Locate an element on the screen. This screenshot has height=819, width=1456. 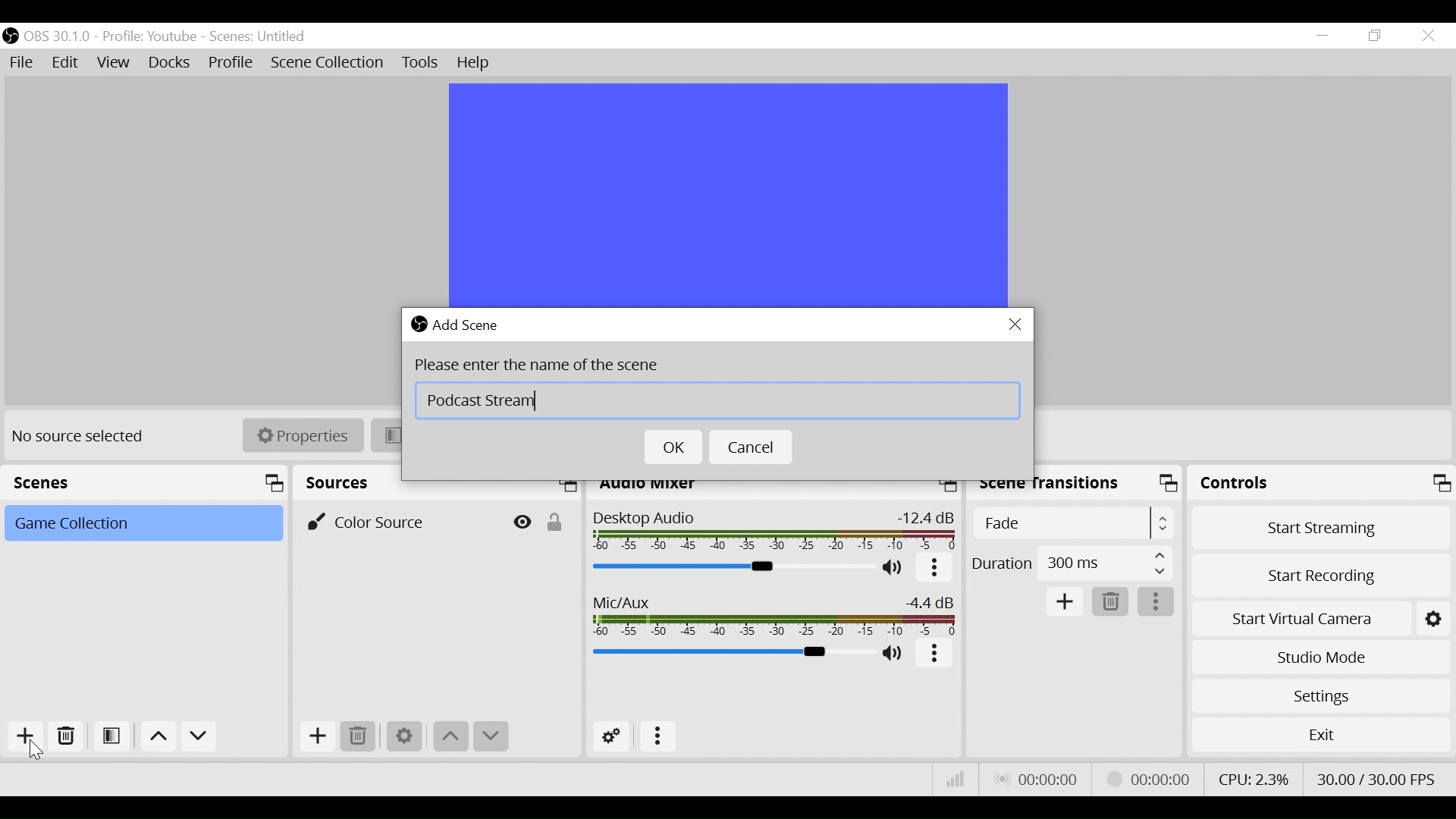
Tools is located at coordinates (420, 63).